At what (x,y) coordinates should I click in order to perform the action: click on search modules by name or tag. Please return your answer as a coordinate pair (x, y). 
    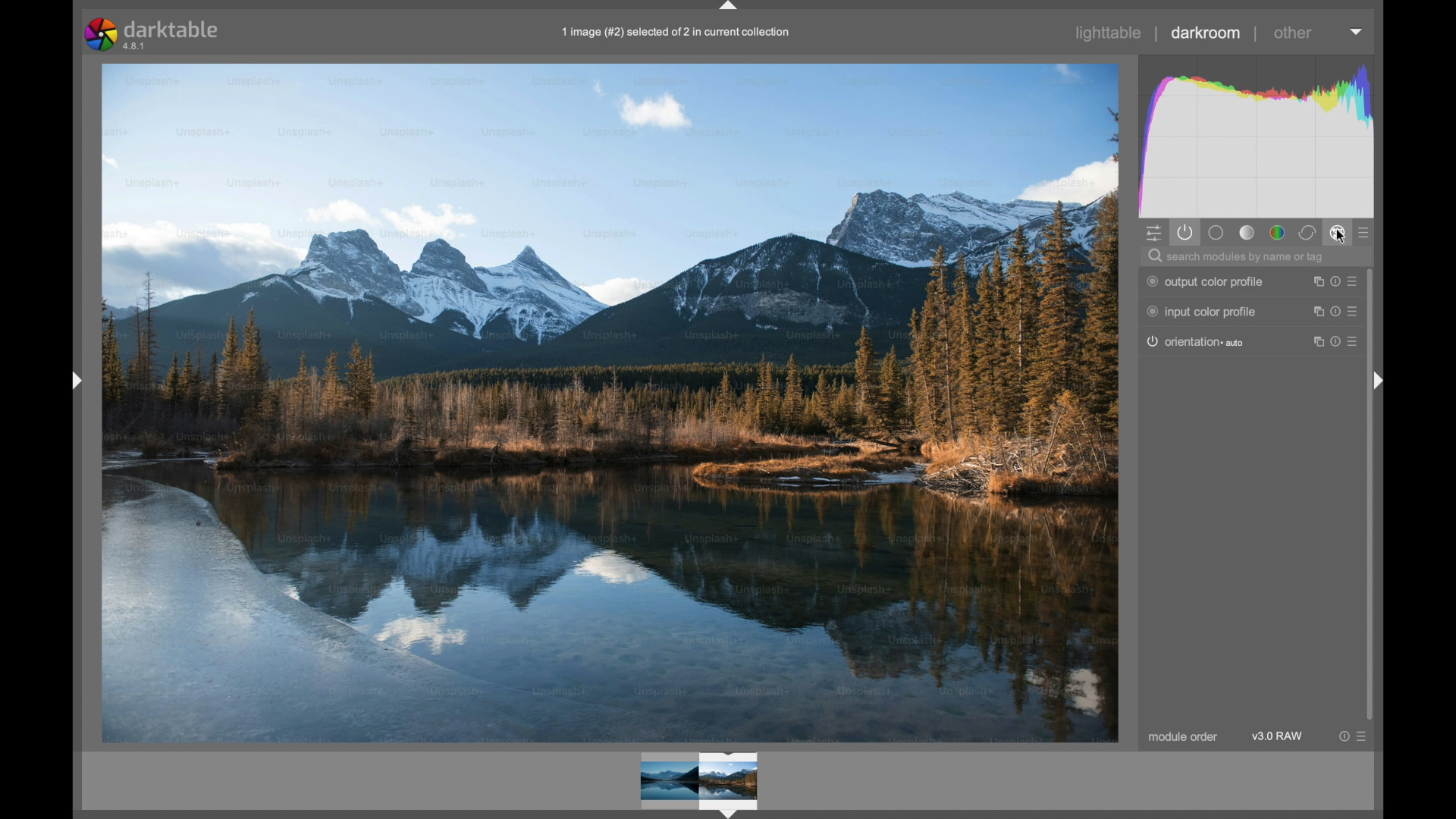
    Looking at the image, I should click on (1236, 256).